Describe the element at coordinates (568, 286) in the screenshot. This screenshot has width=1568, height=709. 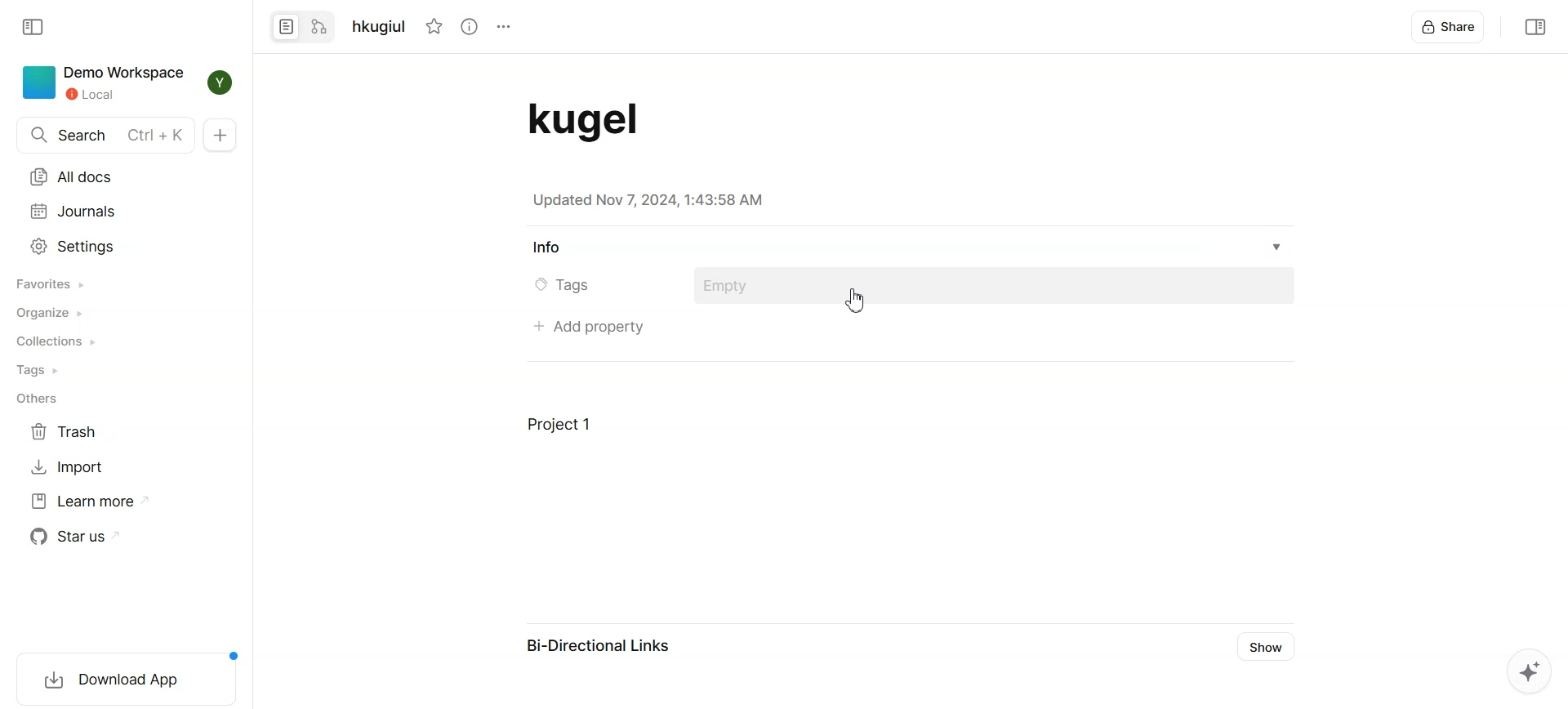
I see `Tags` at that location.